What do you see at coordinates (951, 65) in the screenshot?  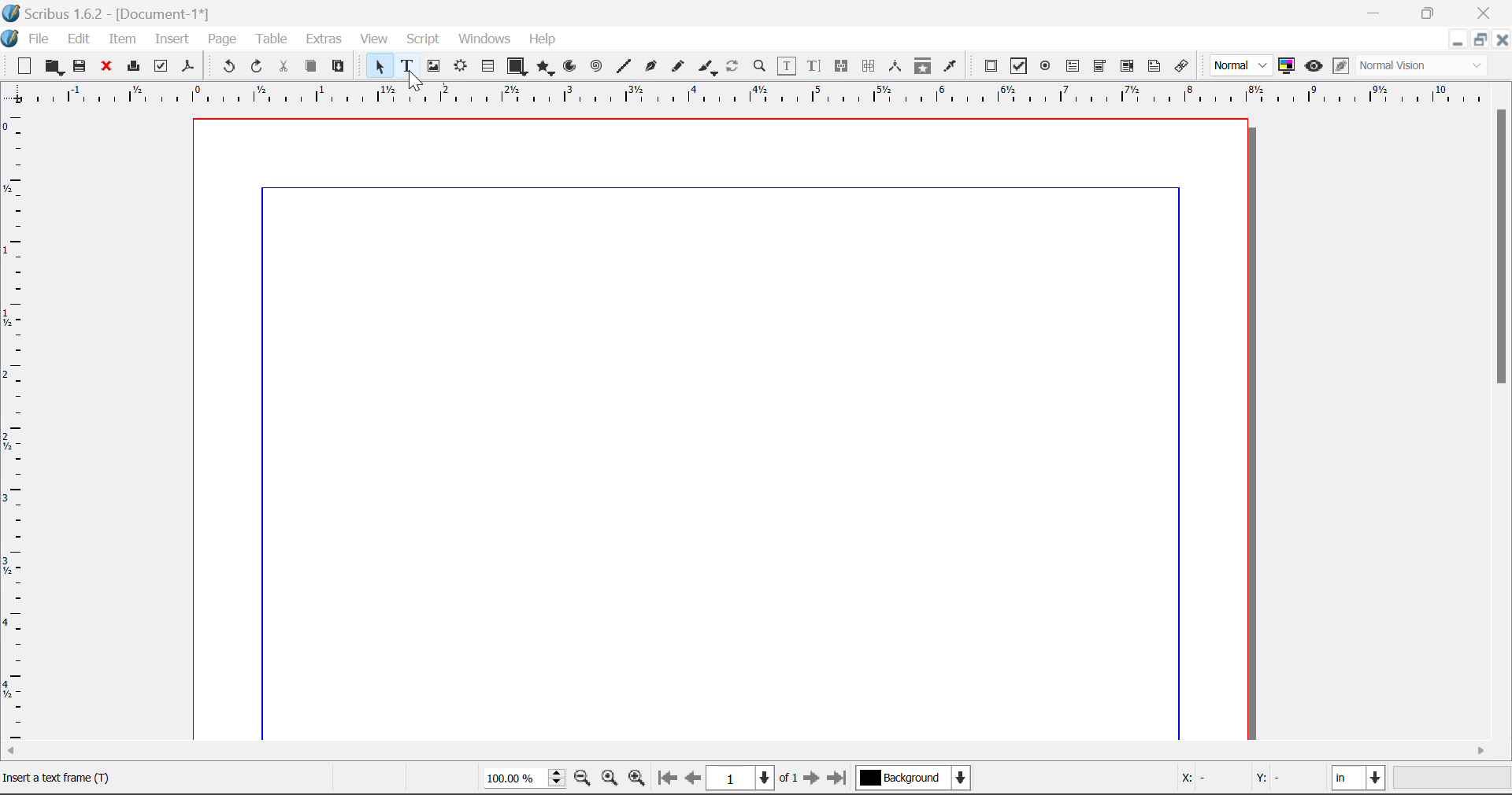 I see `Eyedropper` at bounding box center [951, 65].